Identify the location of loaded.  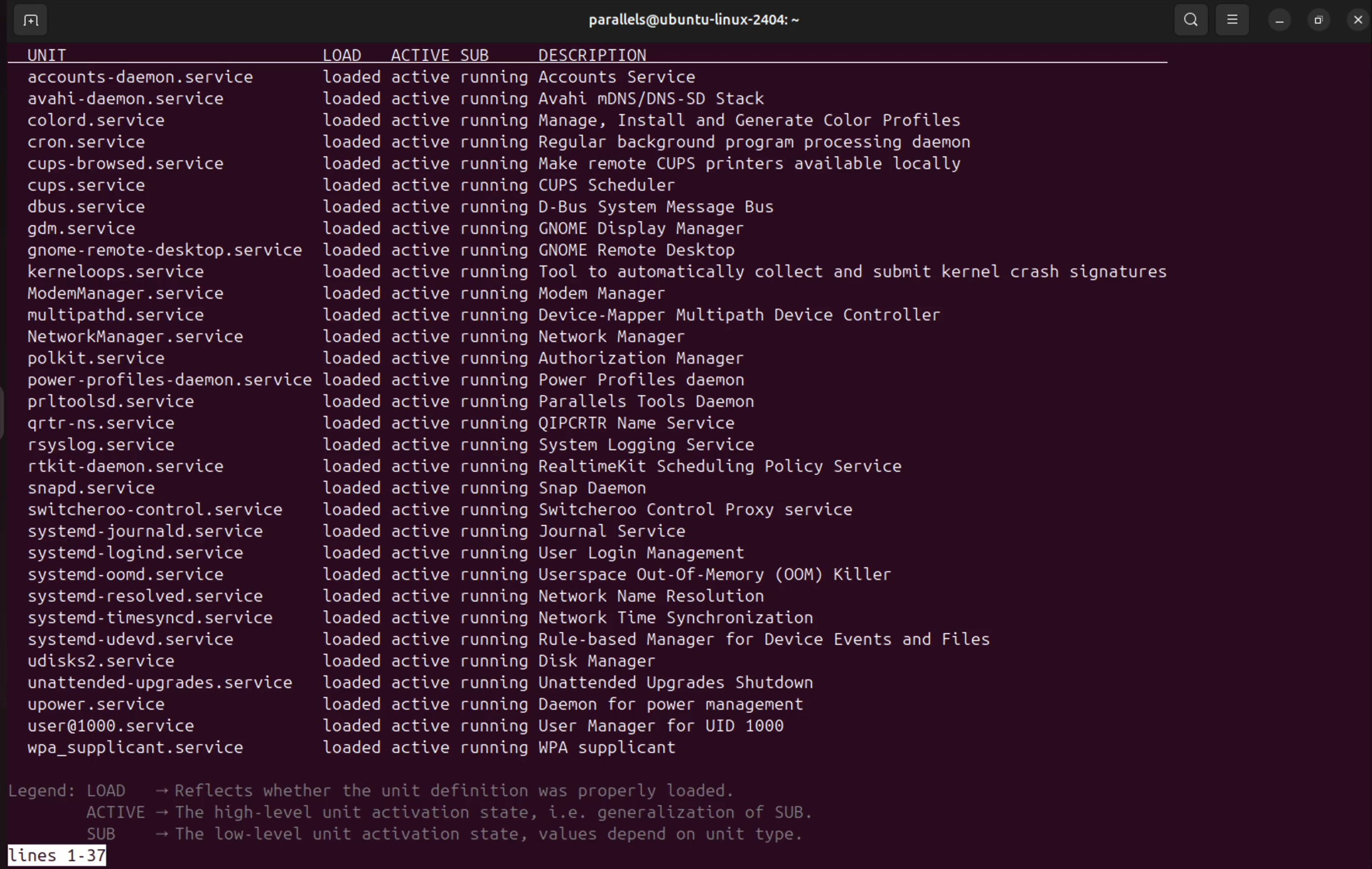
(356, 684).